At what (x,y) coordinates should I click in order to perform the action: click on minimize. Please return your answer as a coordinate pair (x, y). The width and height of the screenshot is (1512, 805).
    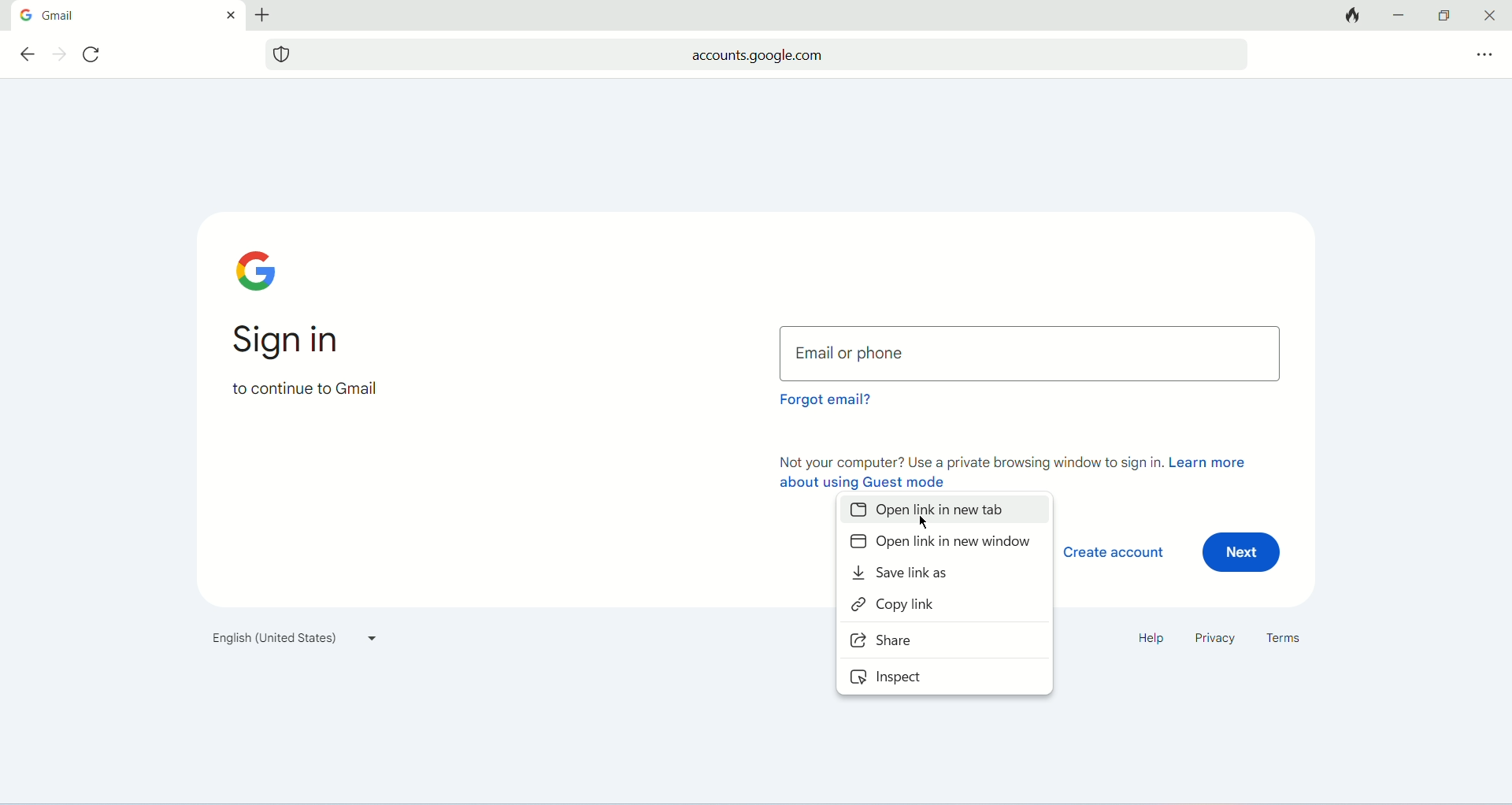
    Looking at the image, I should click on (1401, 14).